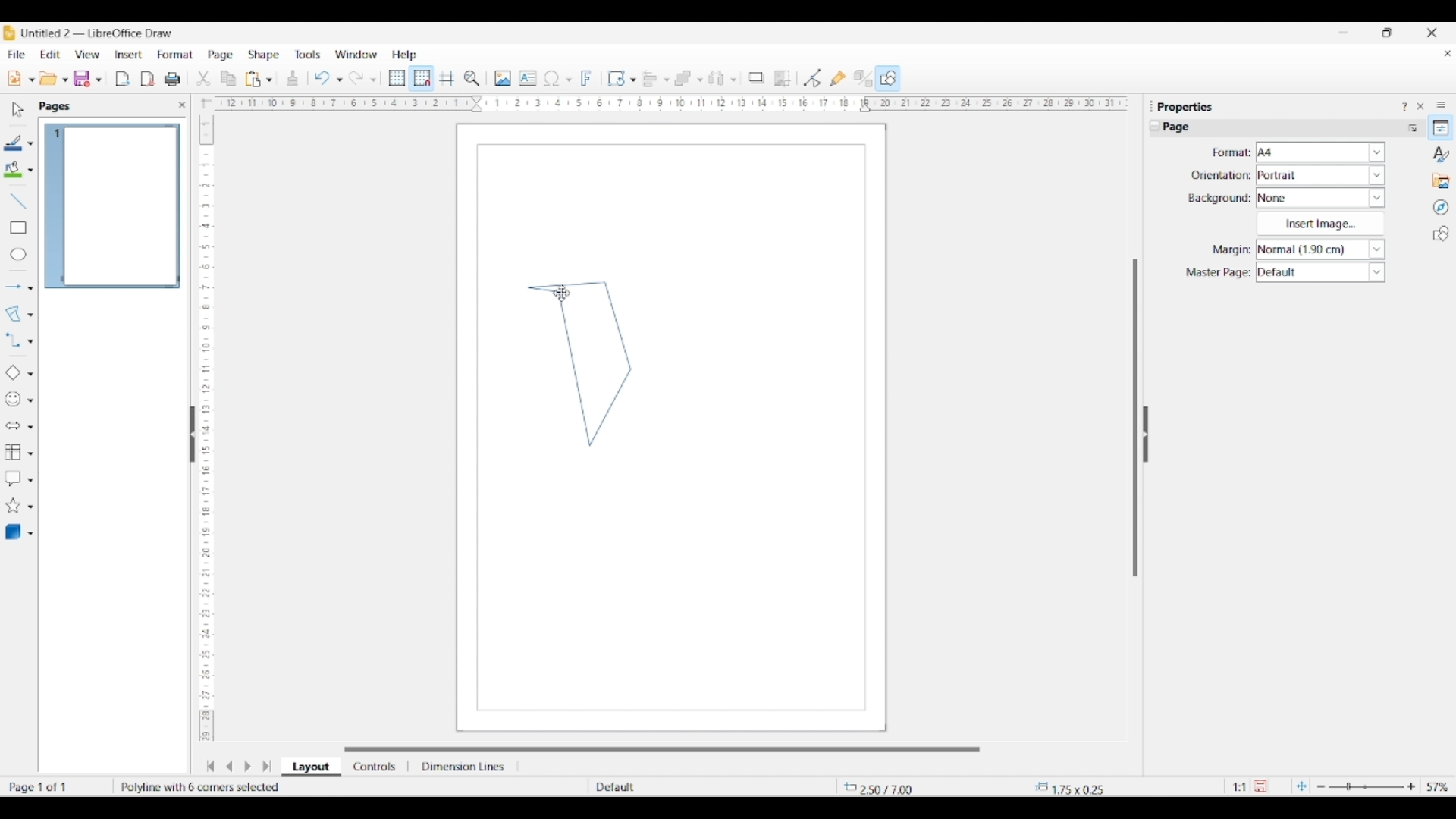 This screenshot has width=1456, height=819. Describe the element at coordinates (64, 80) in the screenshot. I see `Open document options` at that location.